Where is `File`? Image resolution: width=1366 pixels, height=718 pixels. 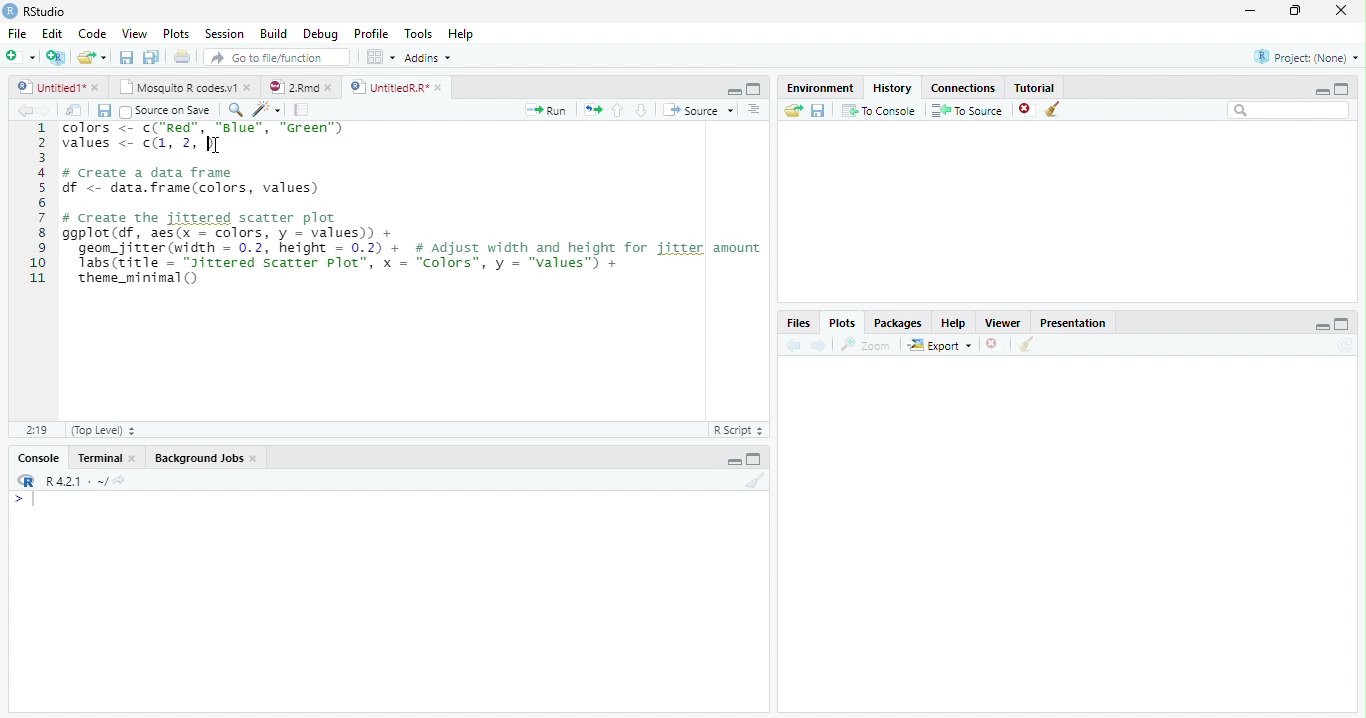
File is located at coordinates (18, 34).